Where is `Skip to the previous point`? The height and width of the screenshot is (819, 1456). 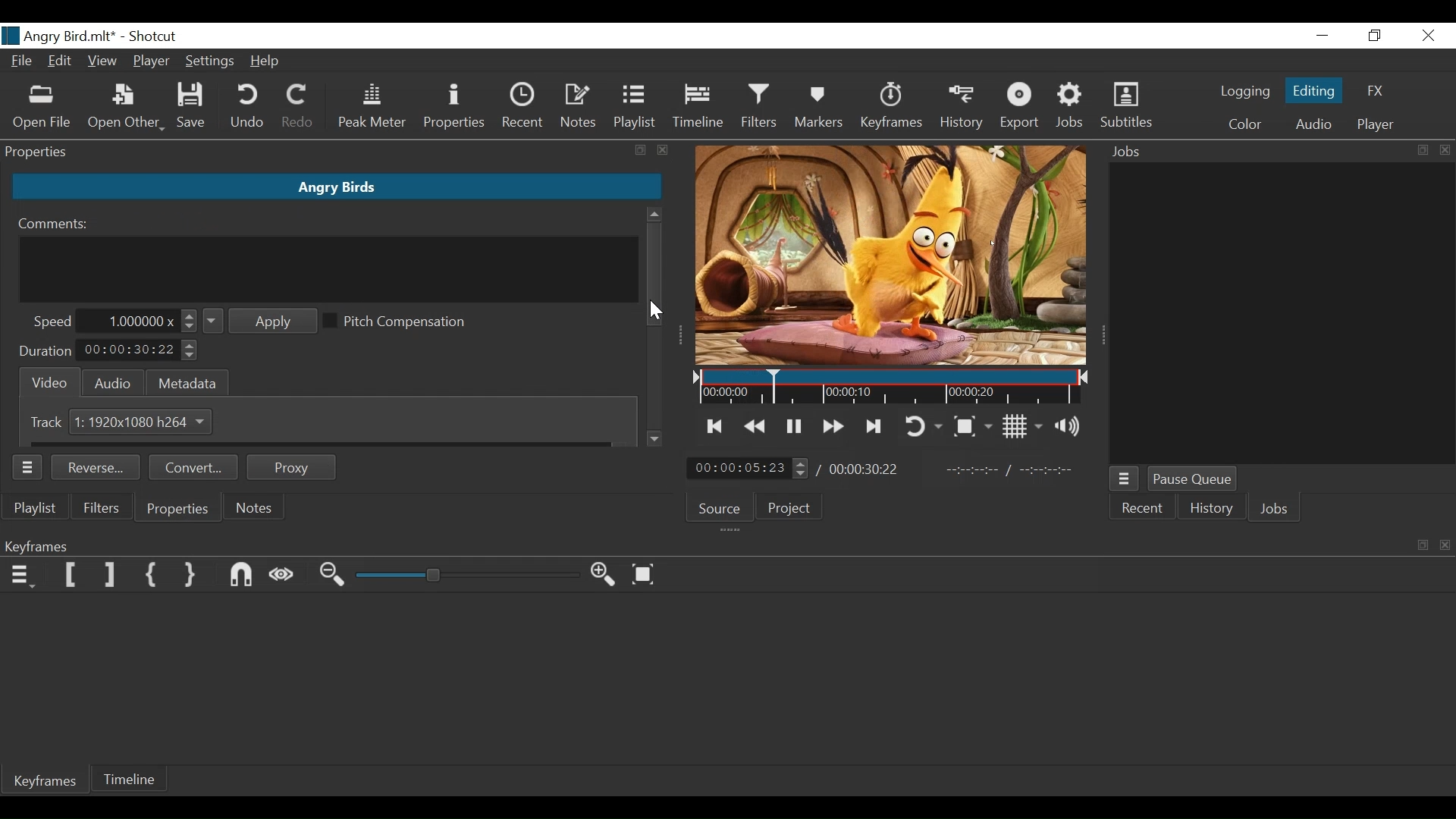 Skip to the previous point is located at coordinates (715, 427).